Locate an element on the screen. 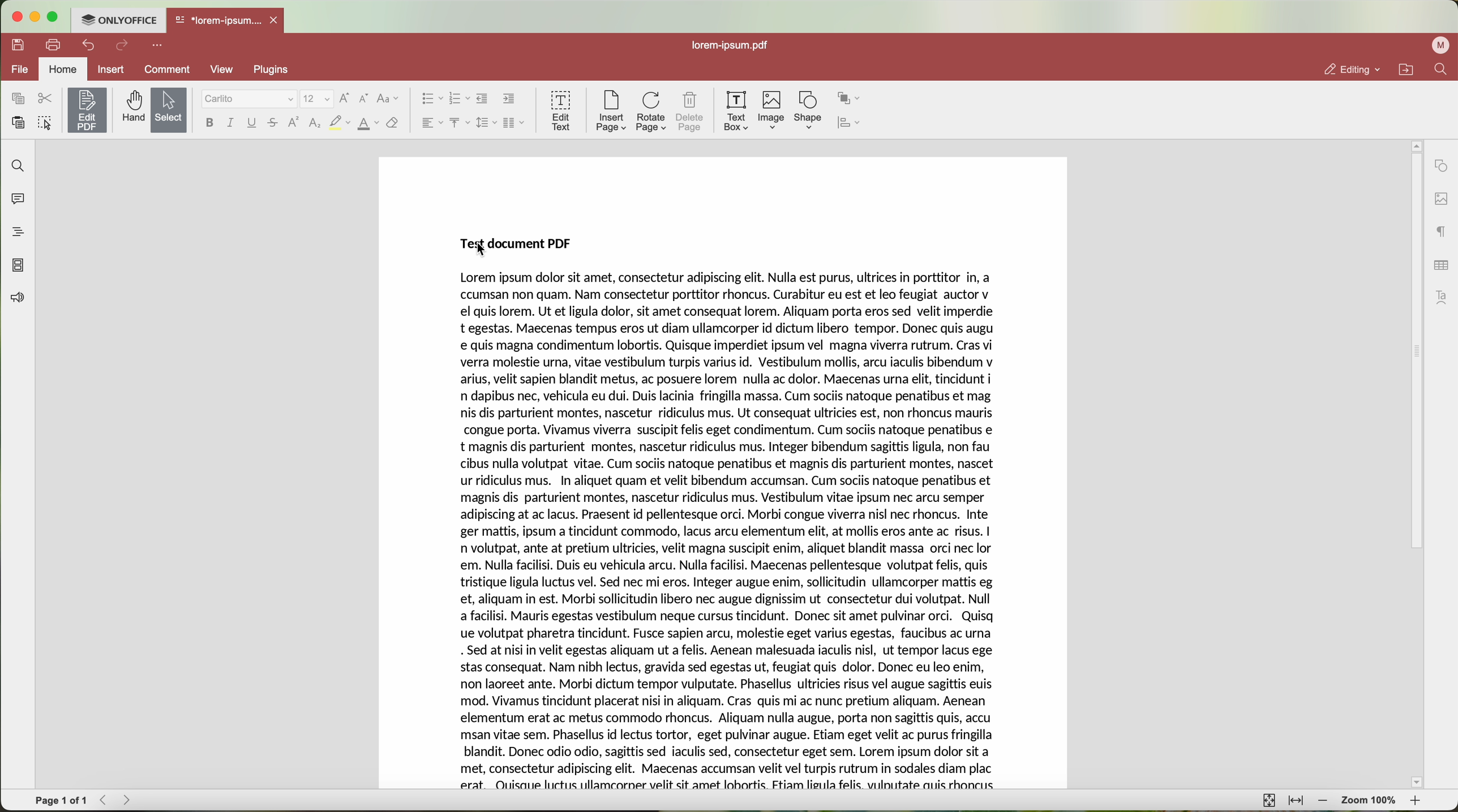 This screenshot has width=1458, height=812. decrease indent is located at coordinates (484, 99).